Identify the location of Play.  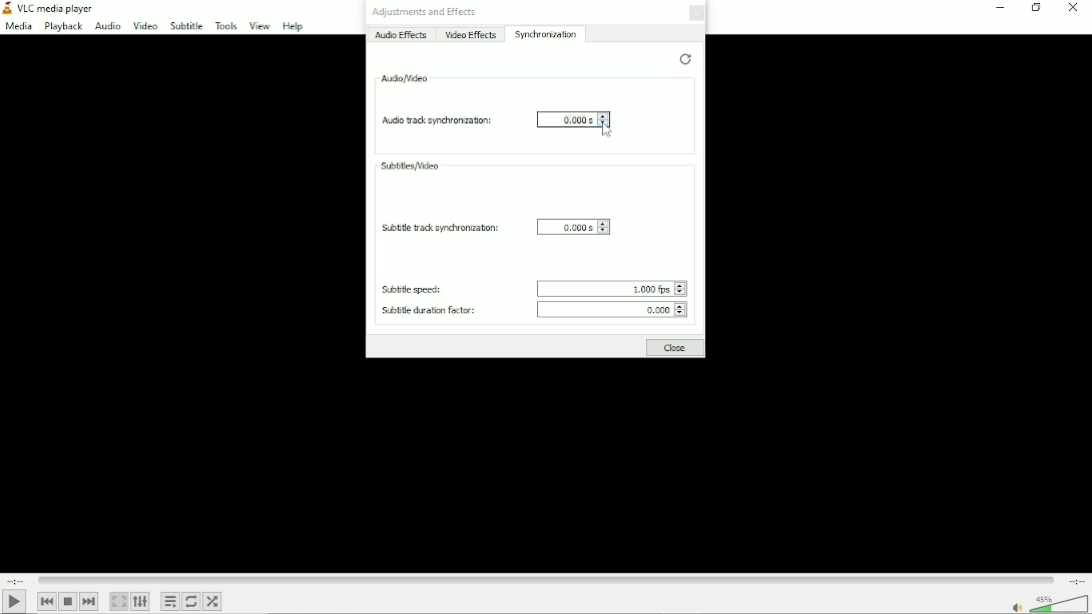
(15, 602).